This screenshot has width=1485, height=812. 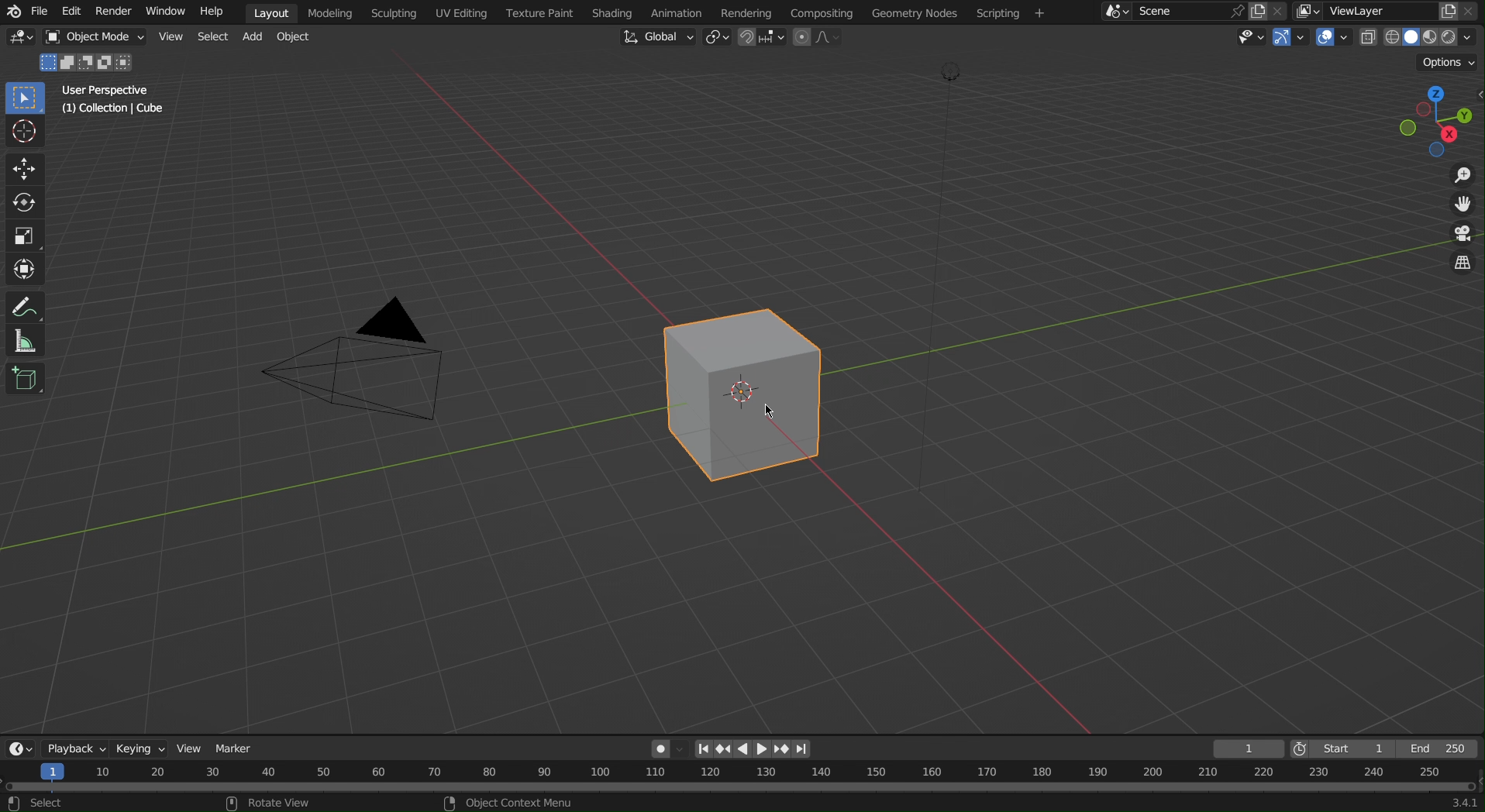 I want to click on Measure, so click(x=26, y=341).